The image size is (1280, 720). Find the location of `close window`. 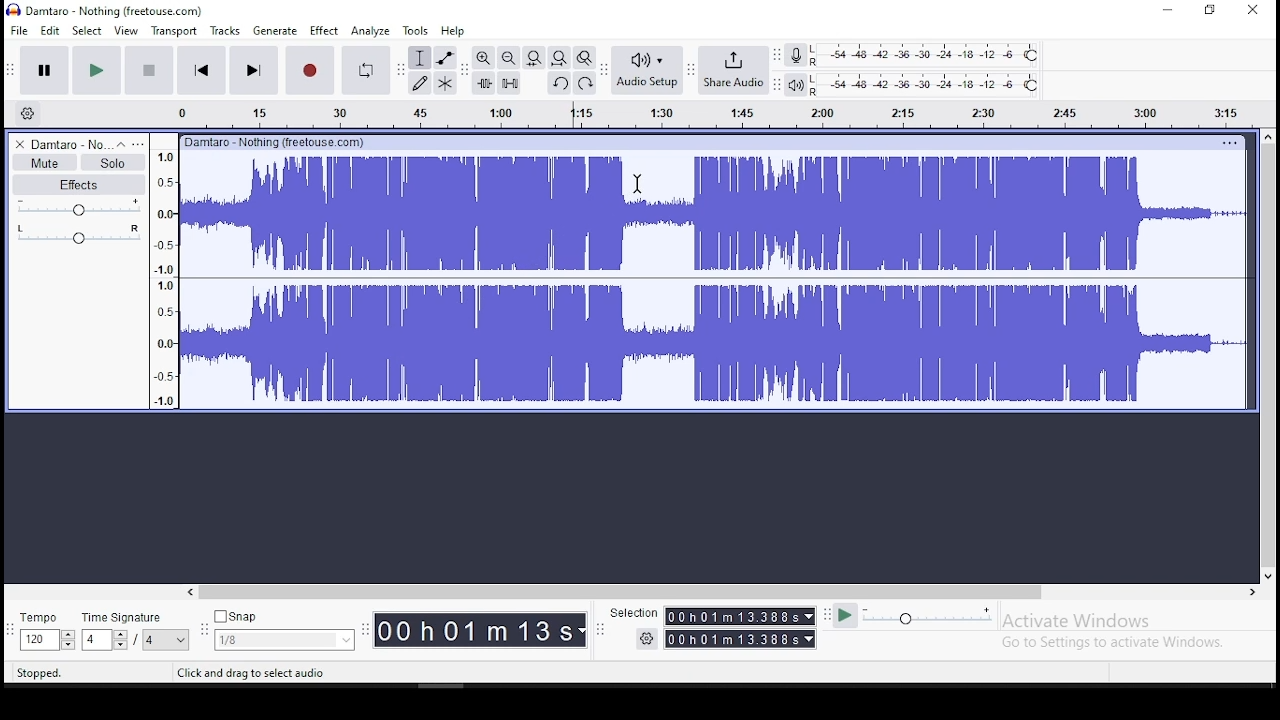

close window is located at coordinates (1254, 11).